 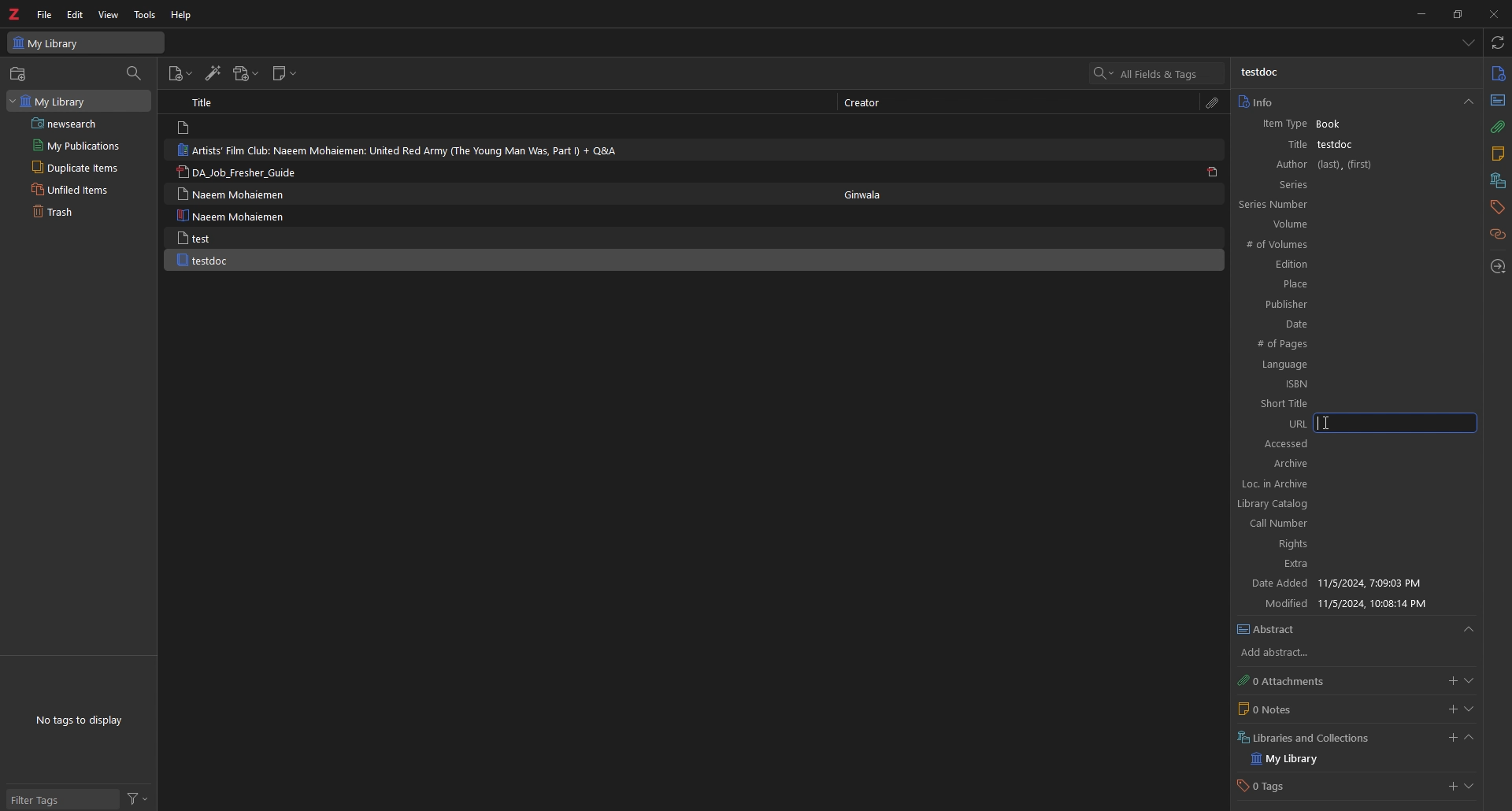 I want to click on Archive, so click(x=1269, y=465).